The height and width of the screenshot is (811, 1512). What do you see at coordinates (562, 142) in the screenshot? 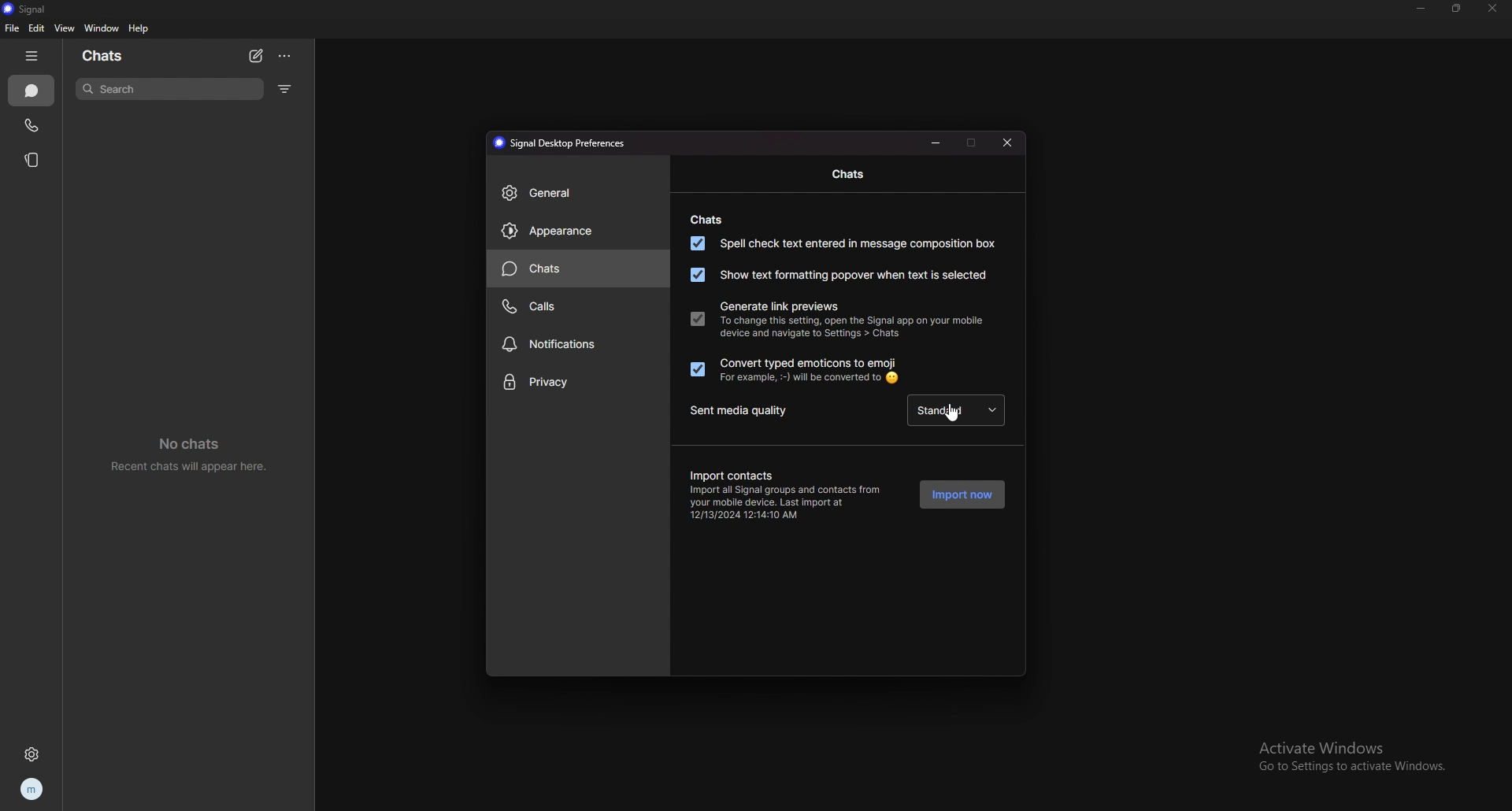
I see `signal desktop preferences` at bounding box center [562, 142].